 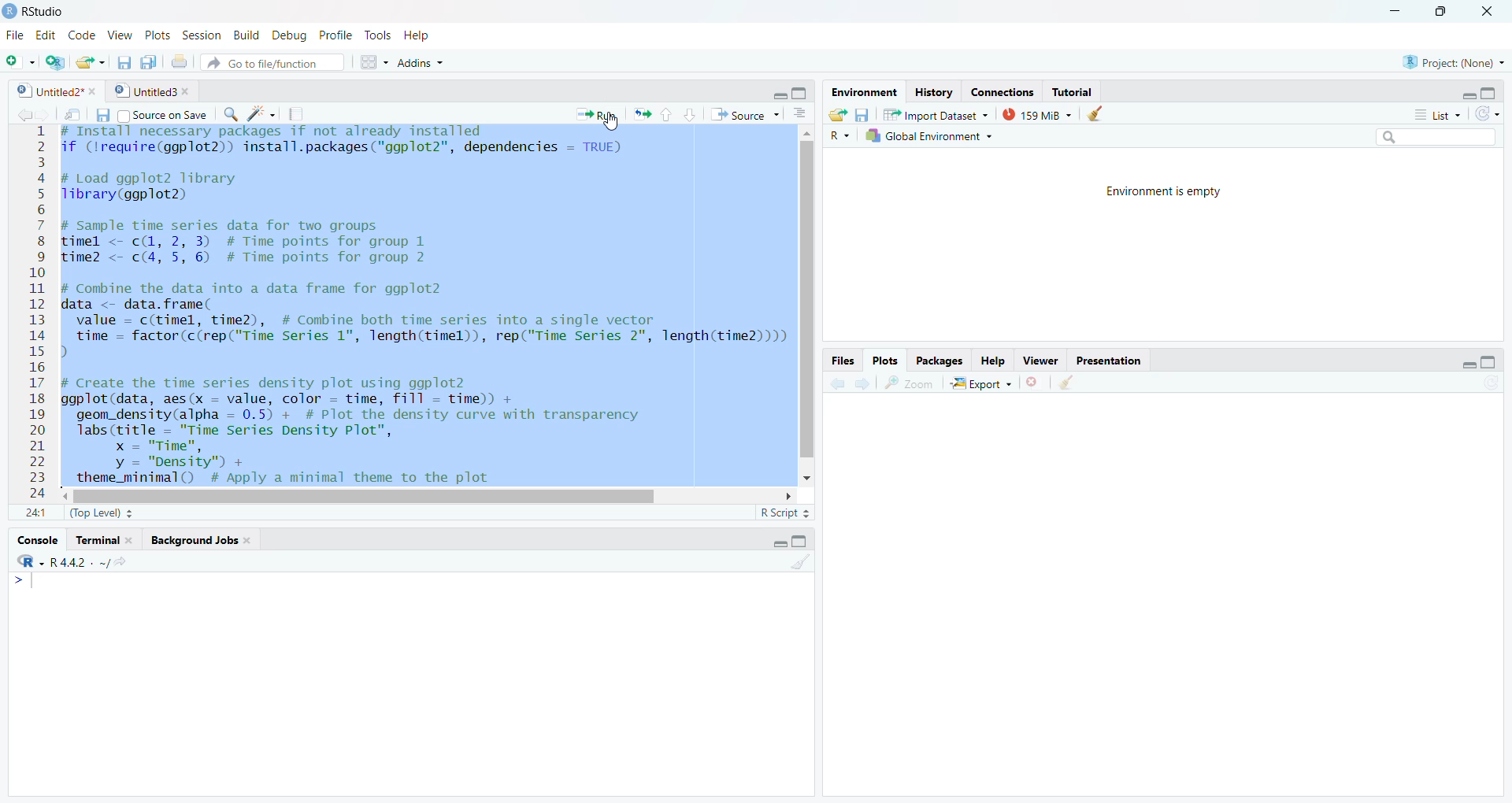 What do you see at coordinates (334, 35) in the screenshot?
I see `Profile` at bounding box center [334, 35].